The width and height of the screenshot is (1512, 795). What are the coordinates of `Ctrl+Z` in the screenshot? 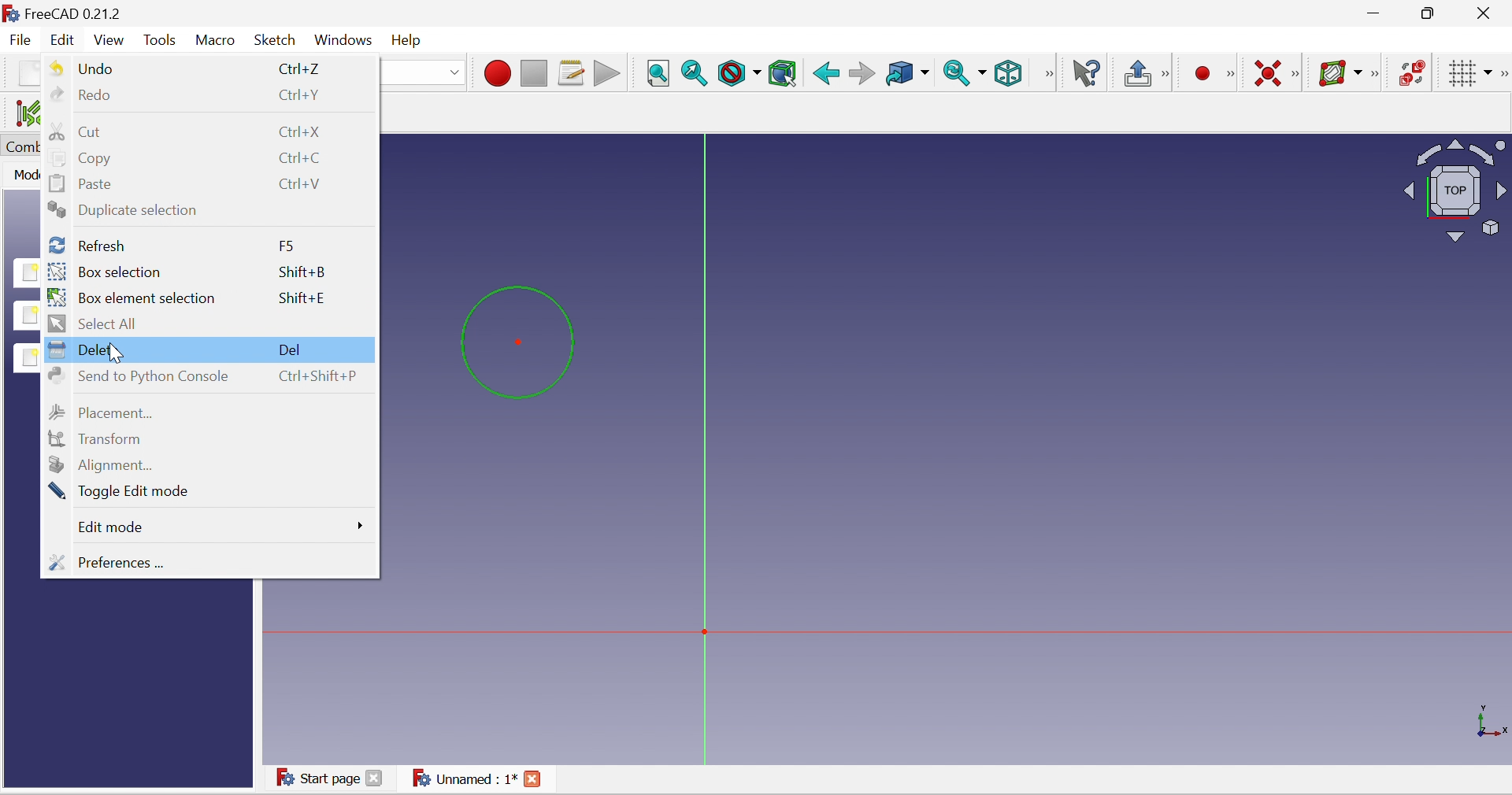 It's located at (302, 68).